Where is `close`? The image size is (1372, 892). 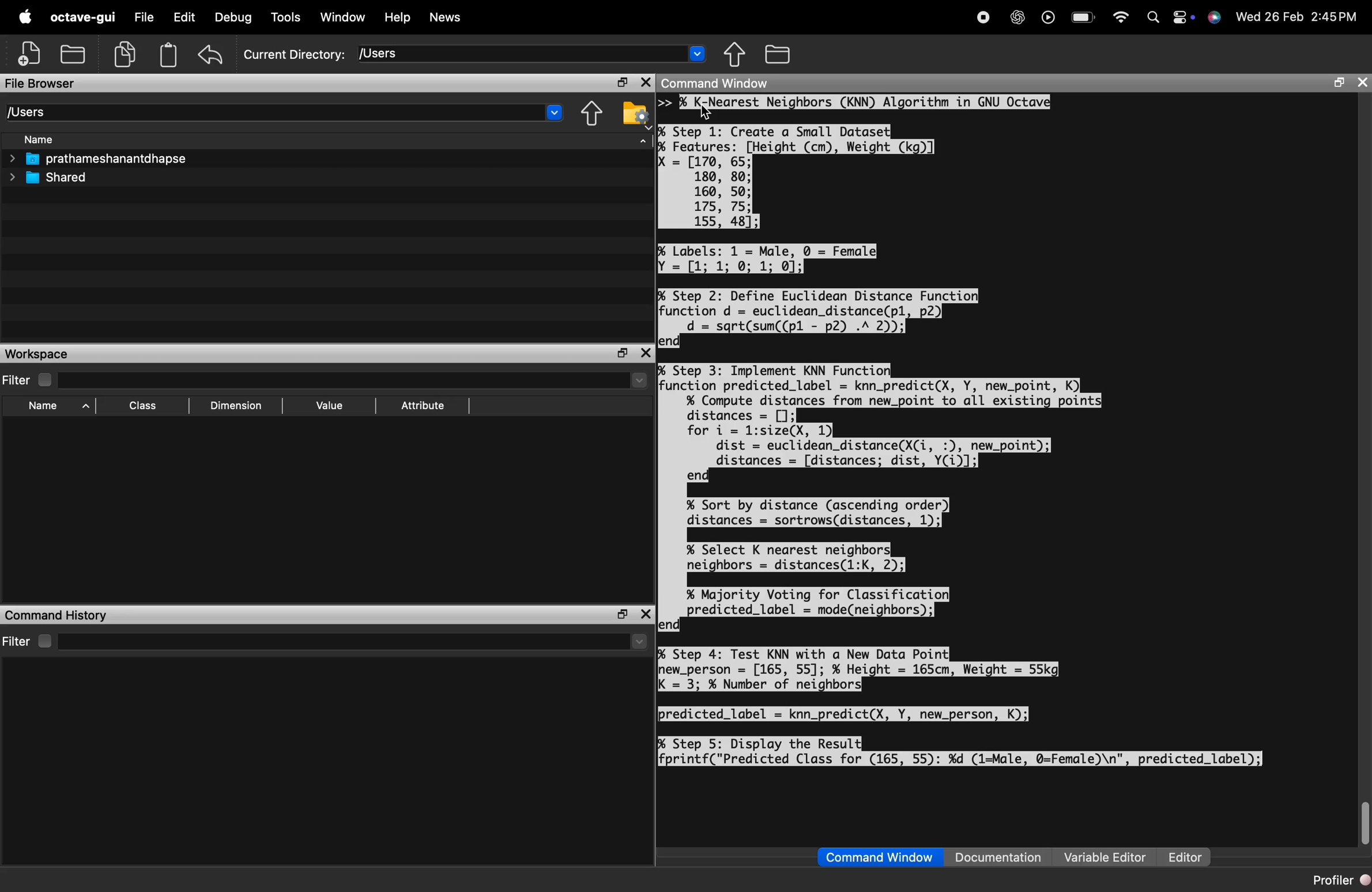 close is located at coordinates (646, 351).